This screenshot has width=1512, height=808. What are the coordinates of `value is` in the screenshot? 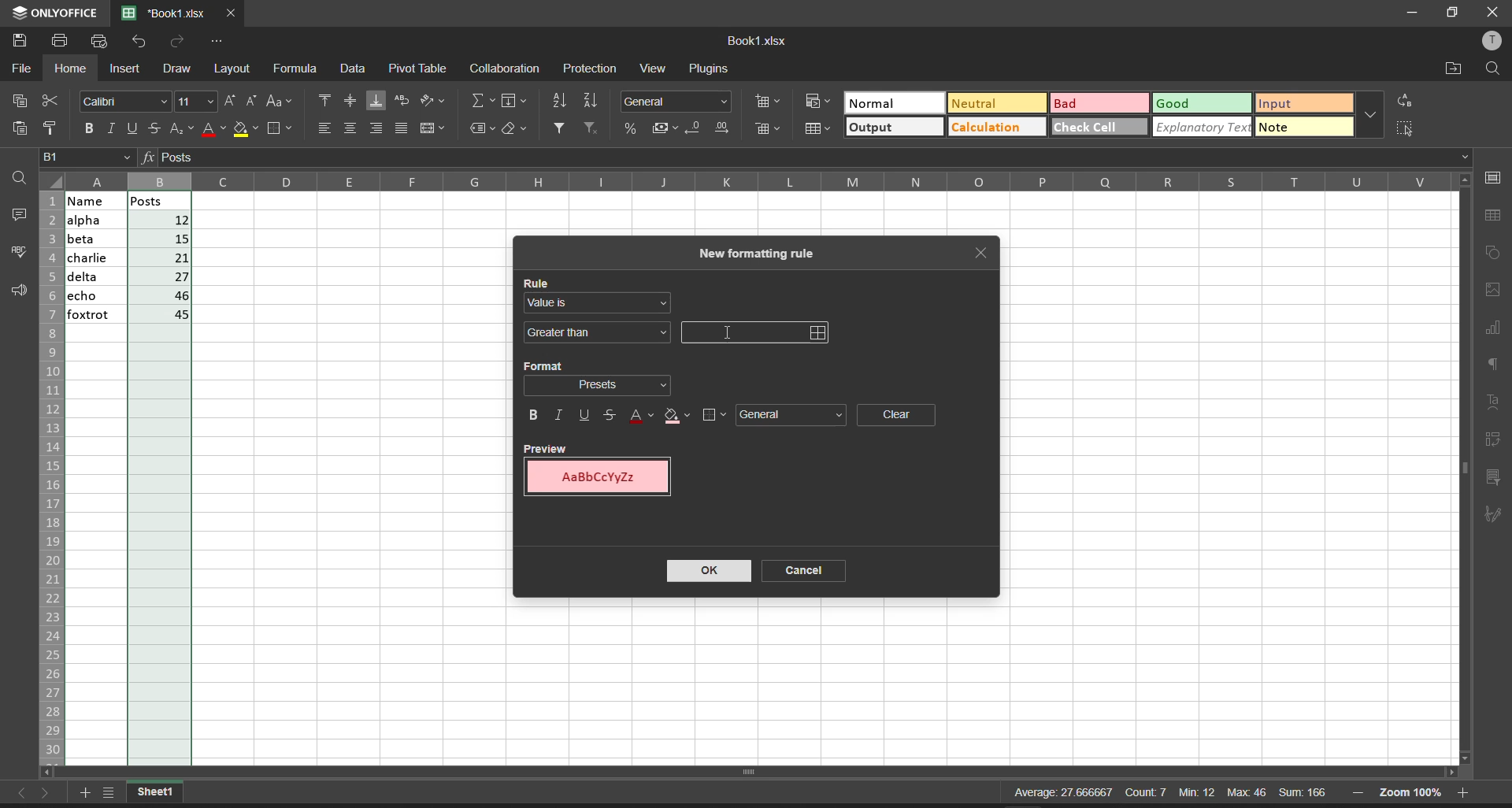 It's located at (600, 305).